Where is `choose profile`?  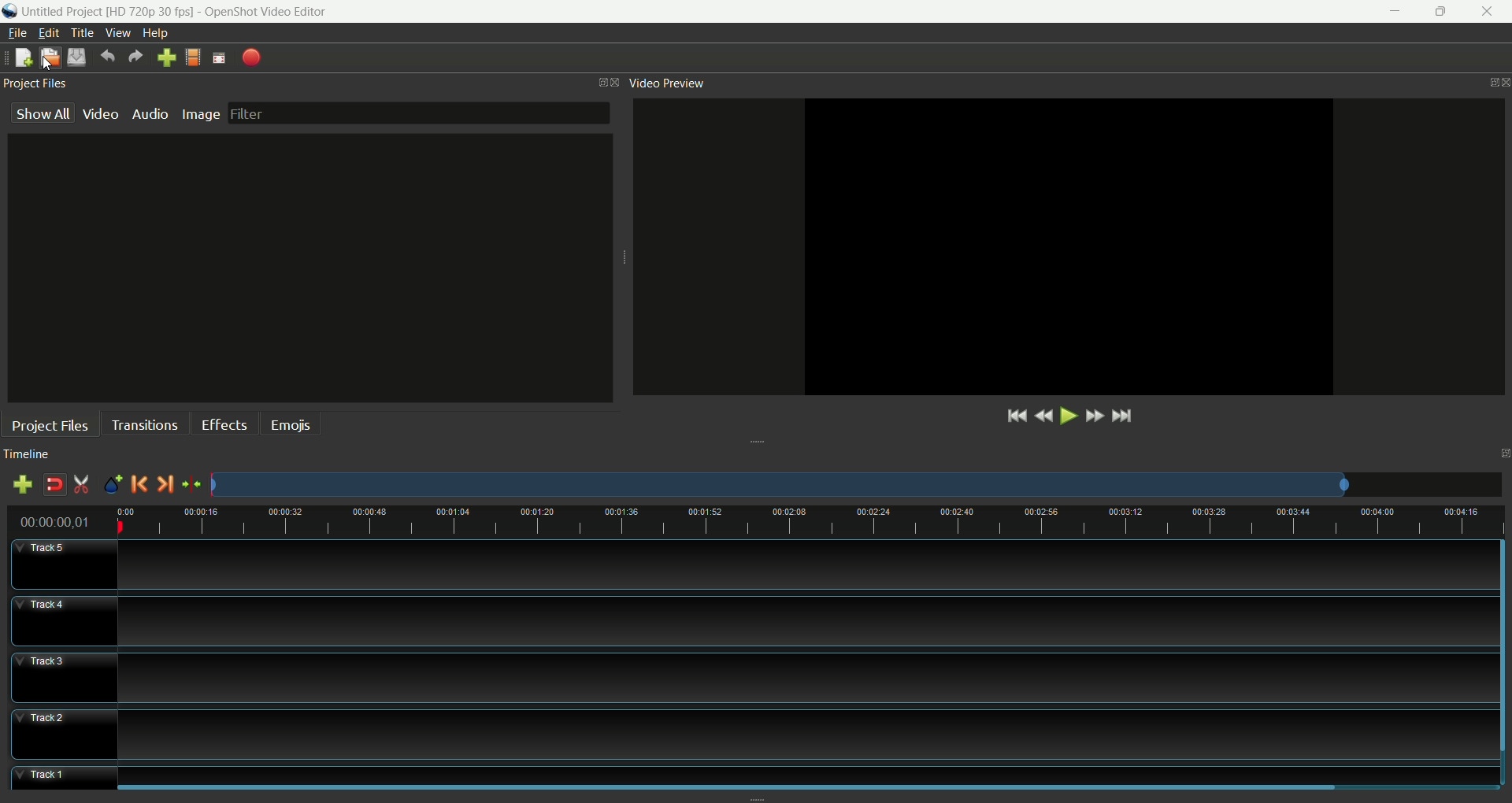
choose profile is located at coordinates (191, 57).